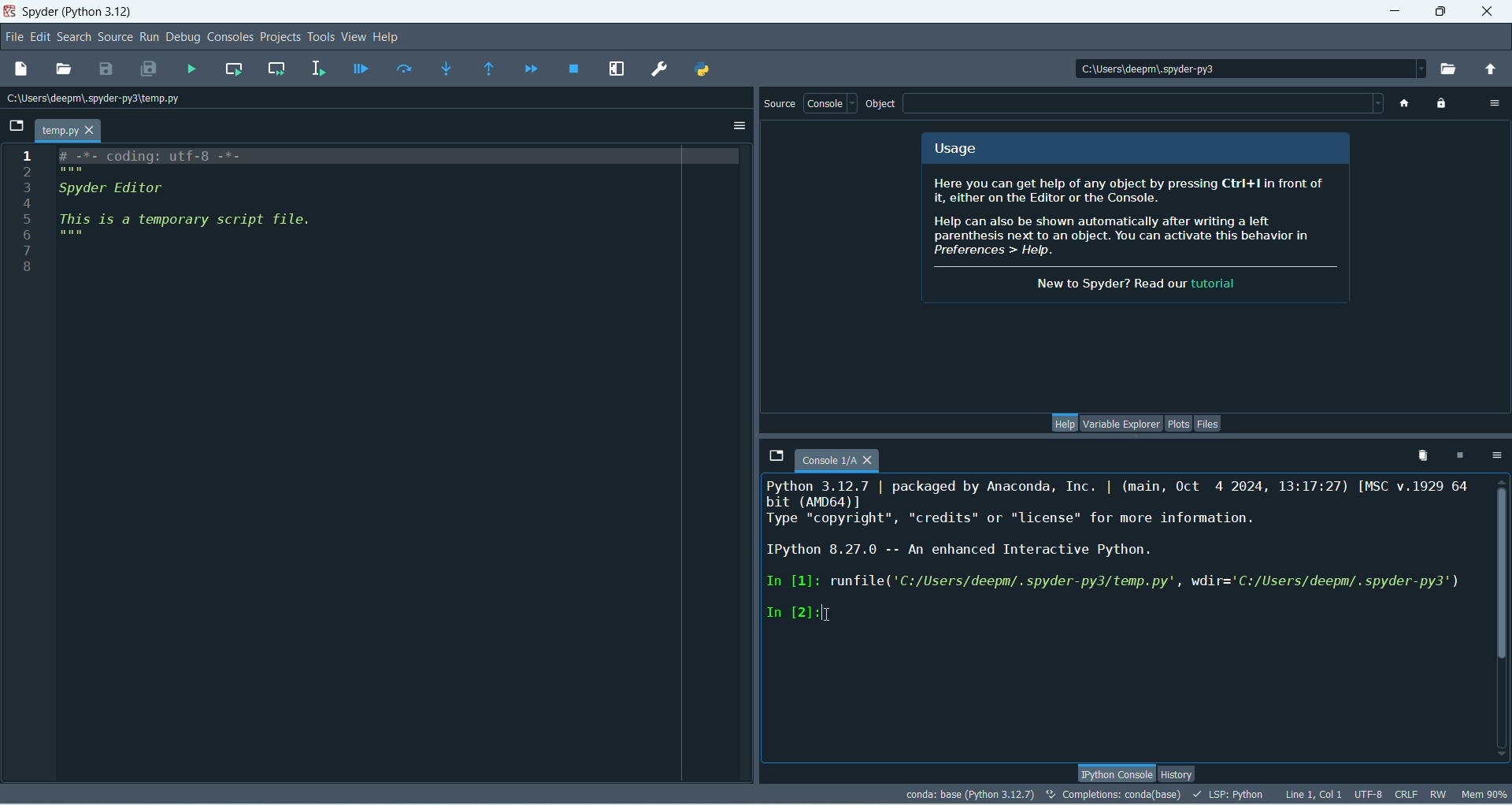  What do you see at coordinates (883, 105) in the screenshot?
I see `object` at bounding box center [883, 105].